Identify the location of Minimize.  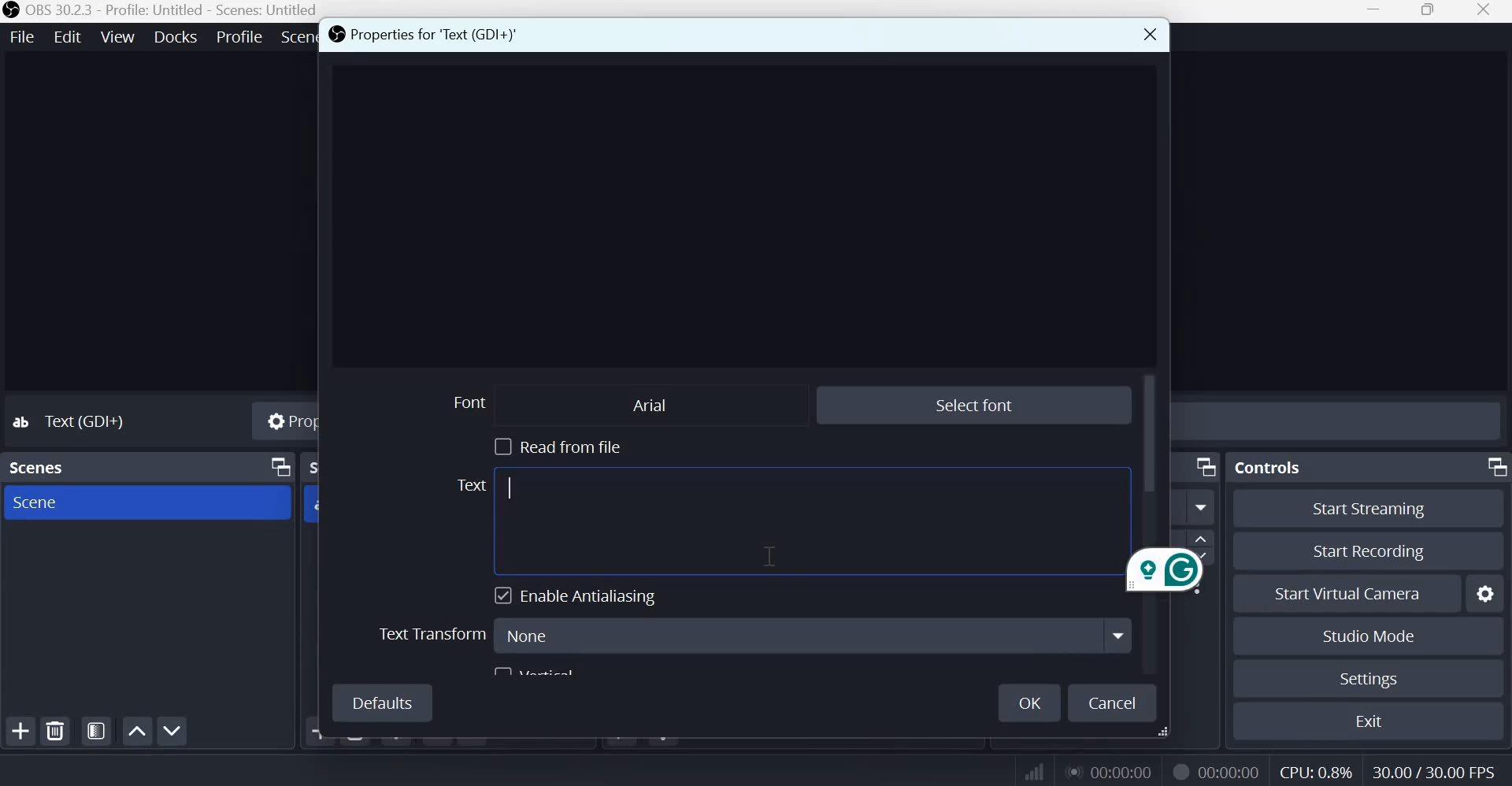
(1374, 11).